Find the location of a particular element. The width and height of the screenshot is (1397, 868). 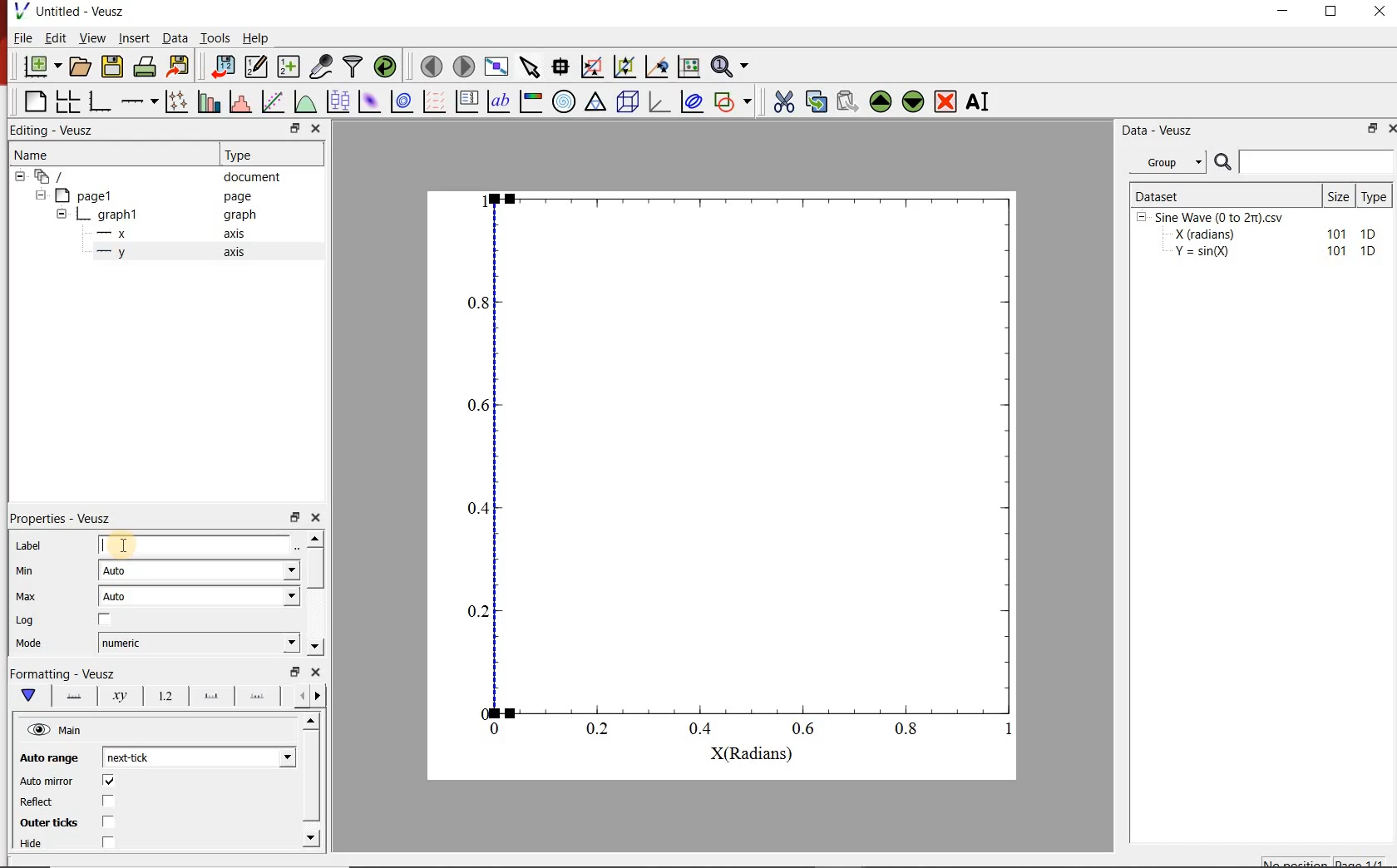

Help is located at coordinates (255, 38).